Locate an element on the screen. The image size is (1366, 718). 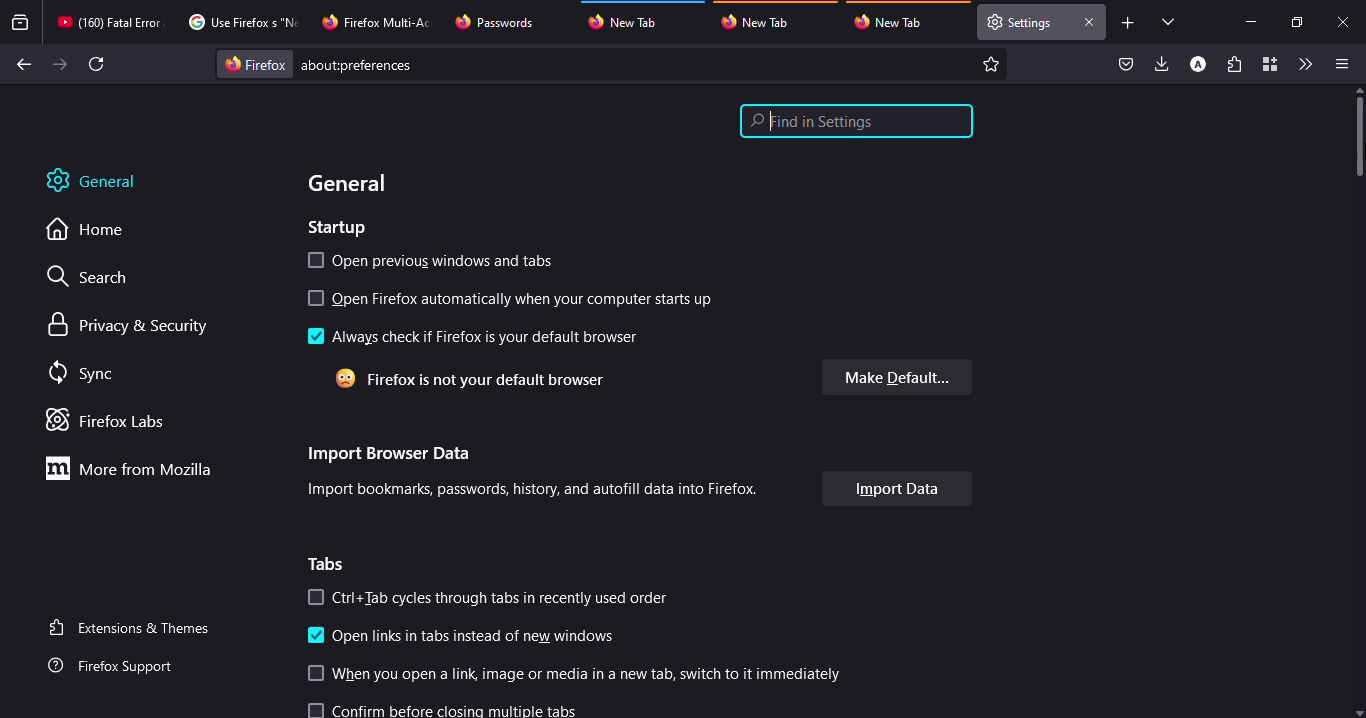
always check  is located at coordinates (492, 336).